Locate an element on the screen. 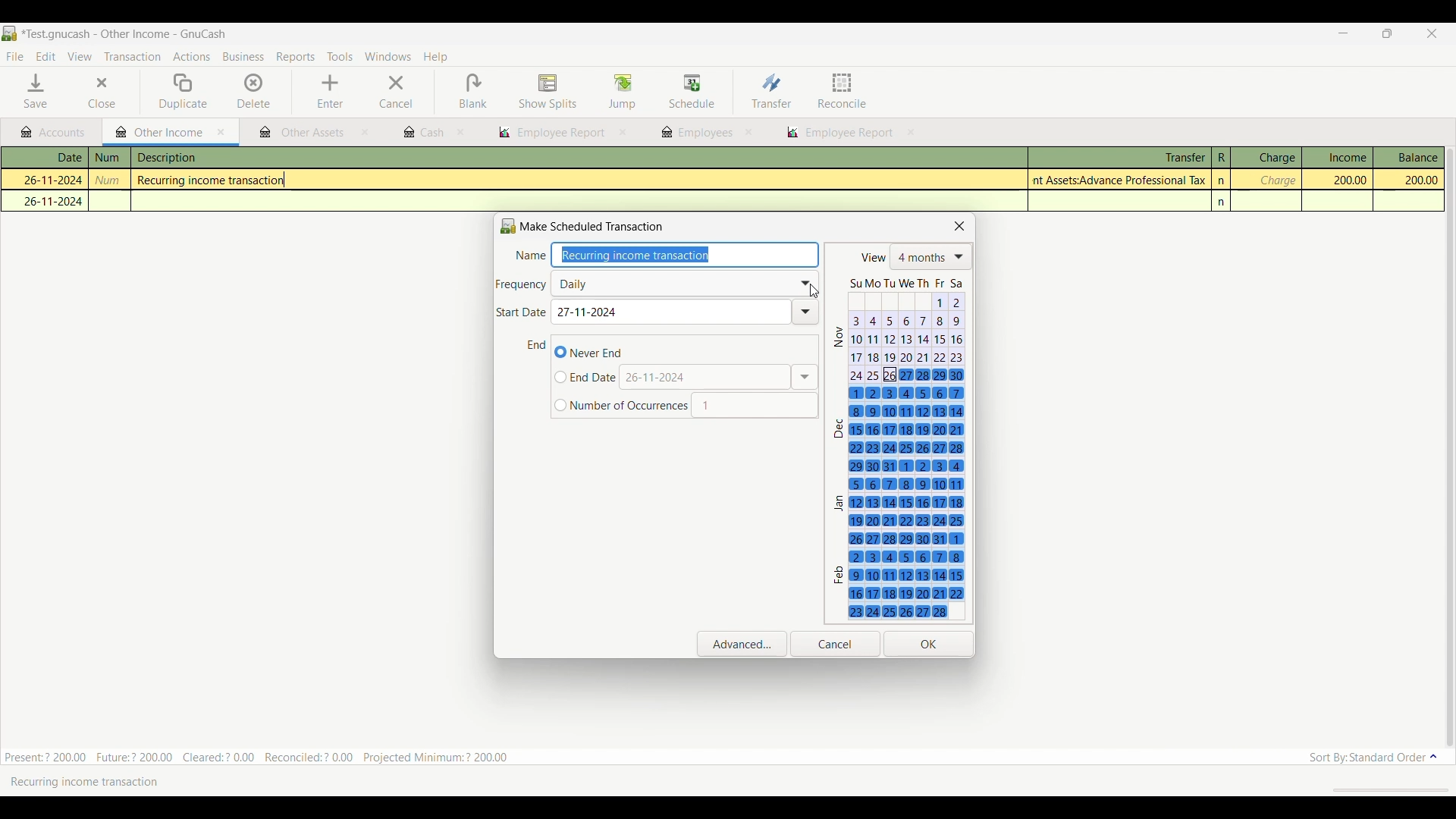 This screenshot has width=1456, height=819. Current tab highlight is located at coordinates (155, 131).